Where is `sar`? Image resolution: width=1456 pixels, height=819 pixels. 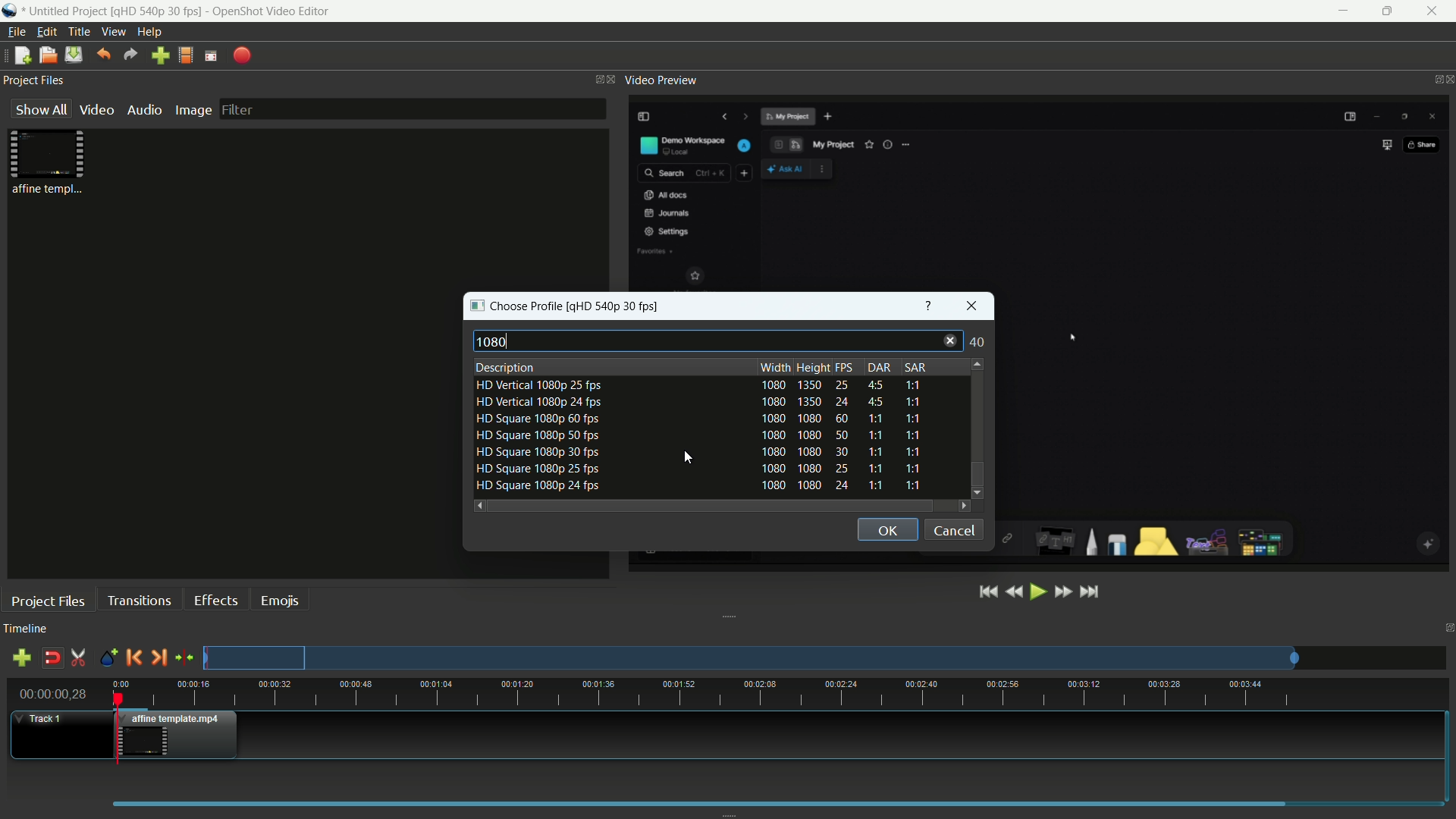
sar is located at coordinates (914, 367).